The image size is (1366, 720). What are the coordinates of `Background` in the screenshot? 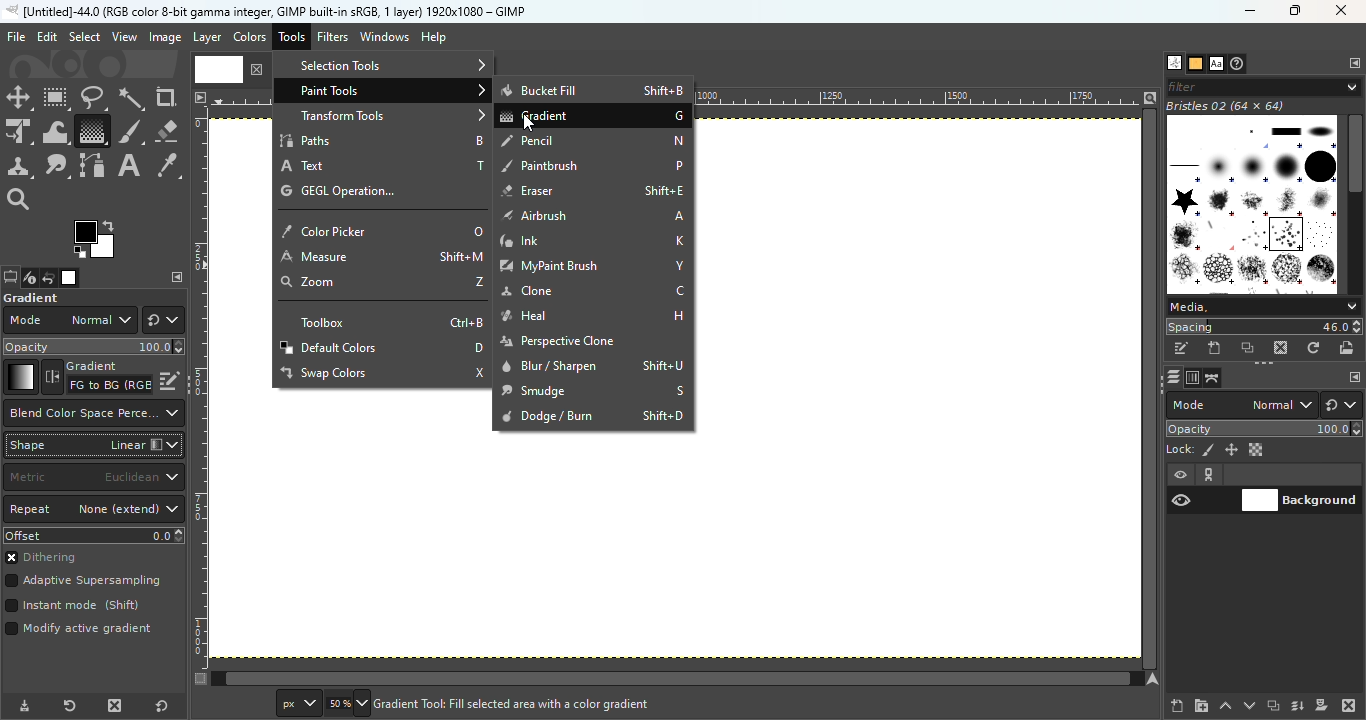 It's located at (1300, 498).